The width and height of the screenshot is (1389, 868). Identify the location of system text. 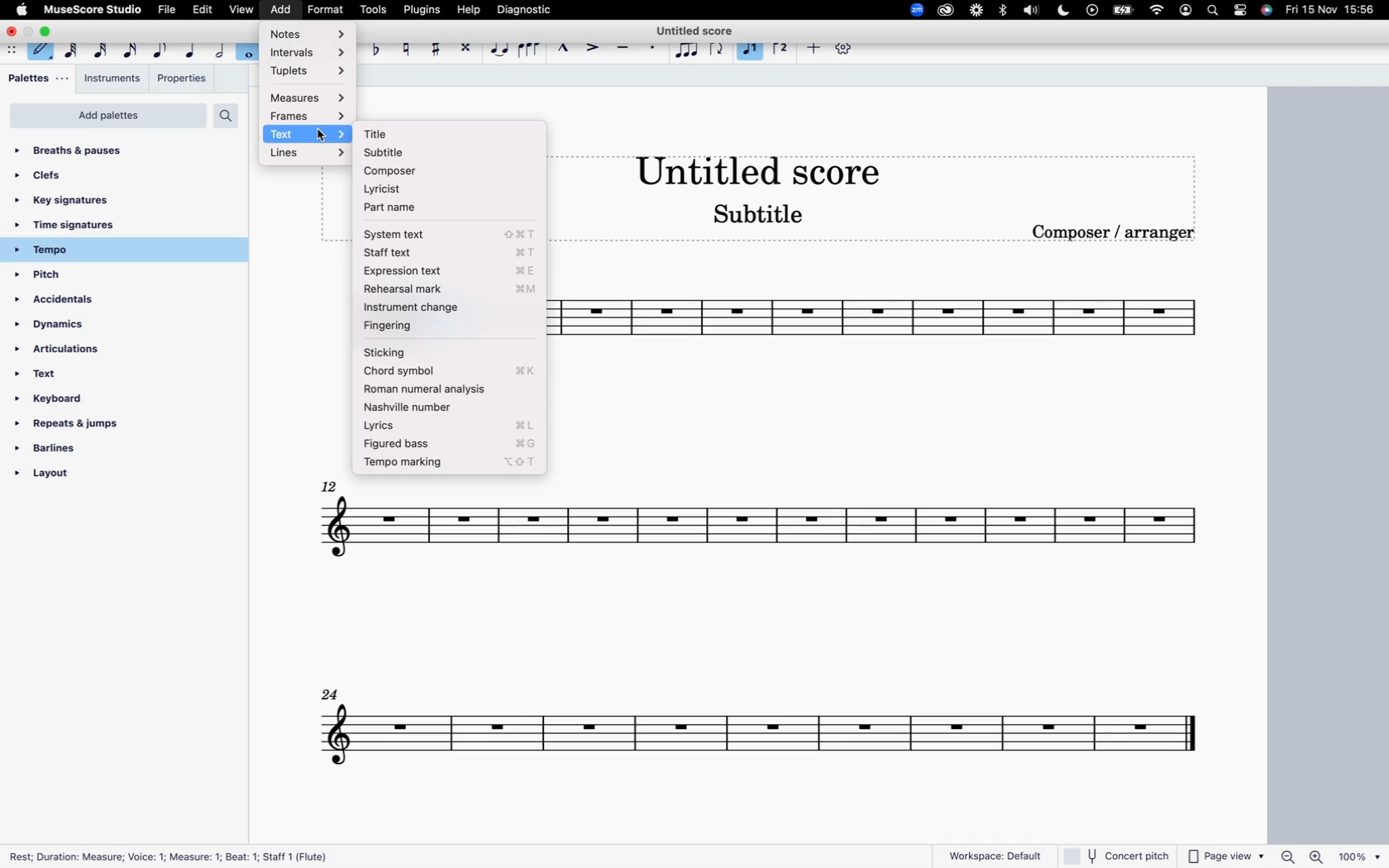
(449, 233).